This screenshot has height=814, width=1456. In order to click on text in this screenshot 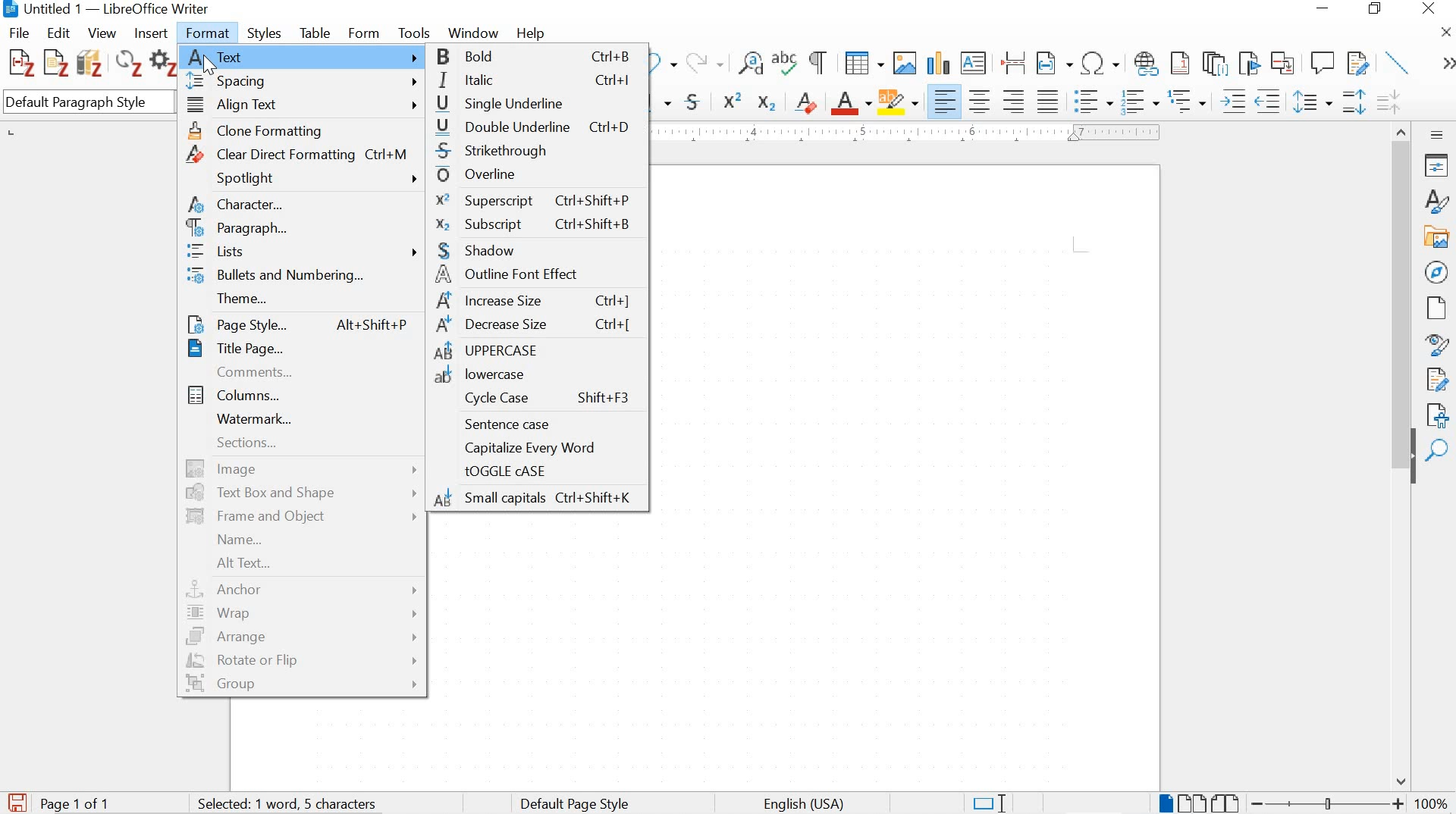, I will do `click(303, 56)`.